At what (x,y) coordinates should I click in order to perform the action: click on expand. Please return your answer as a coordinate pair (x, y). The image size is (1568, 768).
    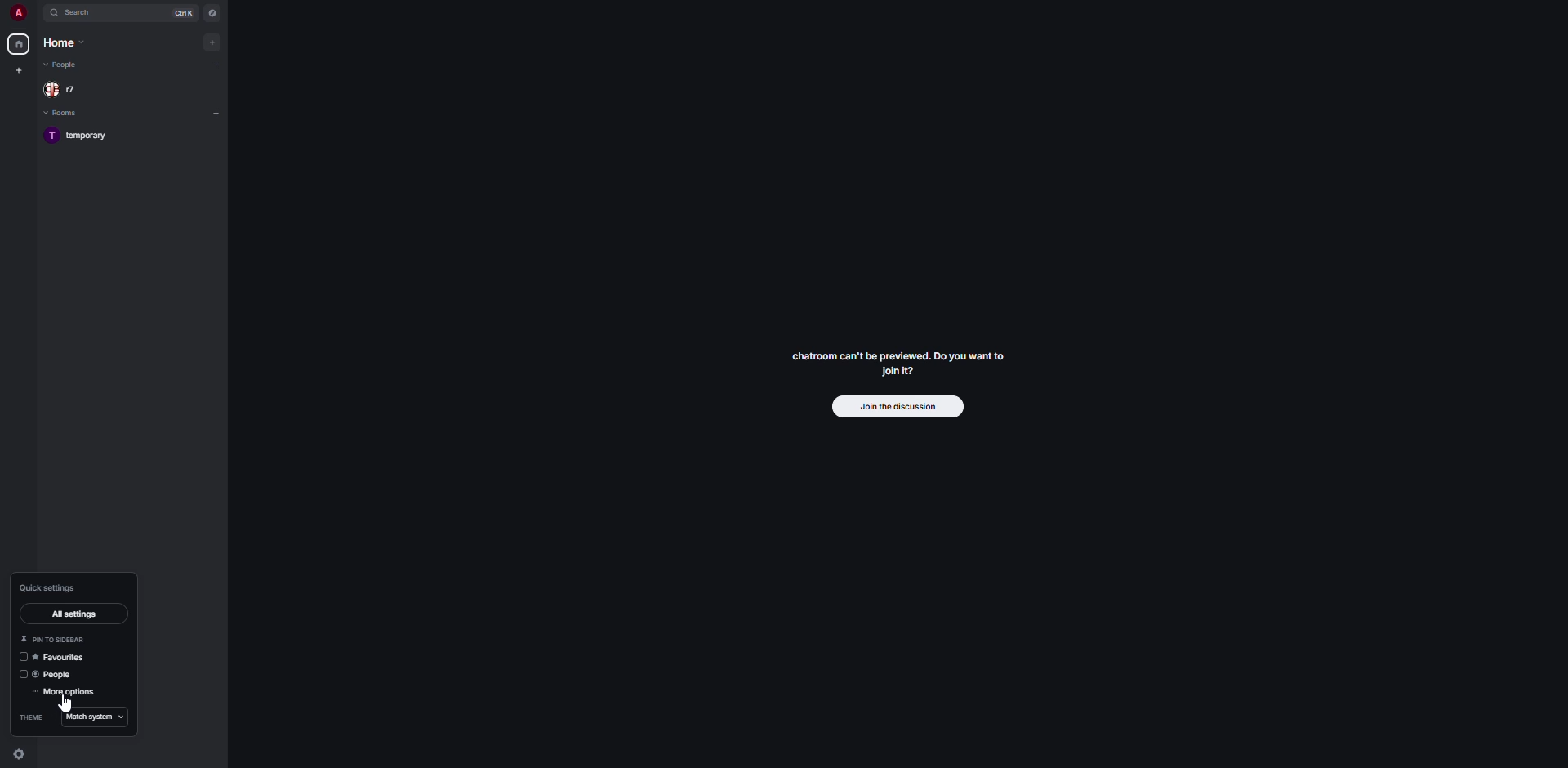
    Looking at the image, I should click on (37, 14).